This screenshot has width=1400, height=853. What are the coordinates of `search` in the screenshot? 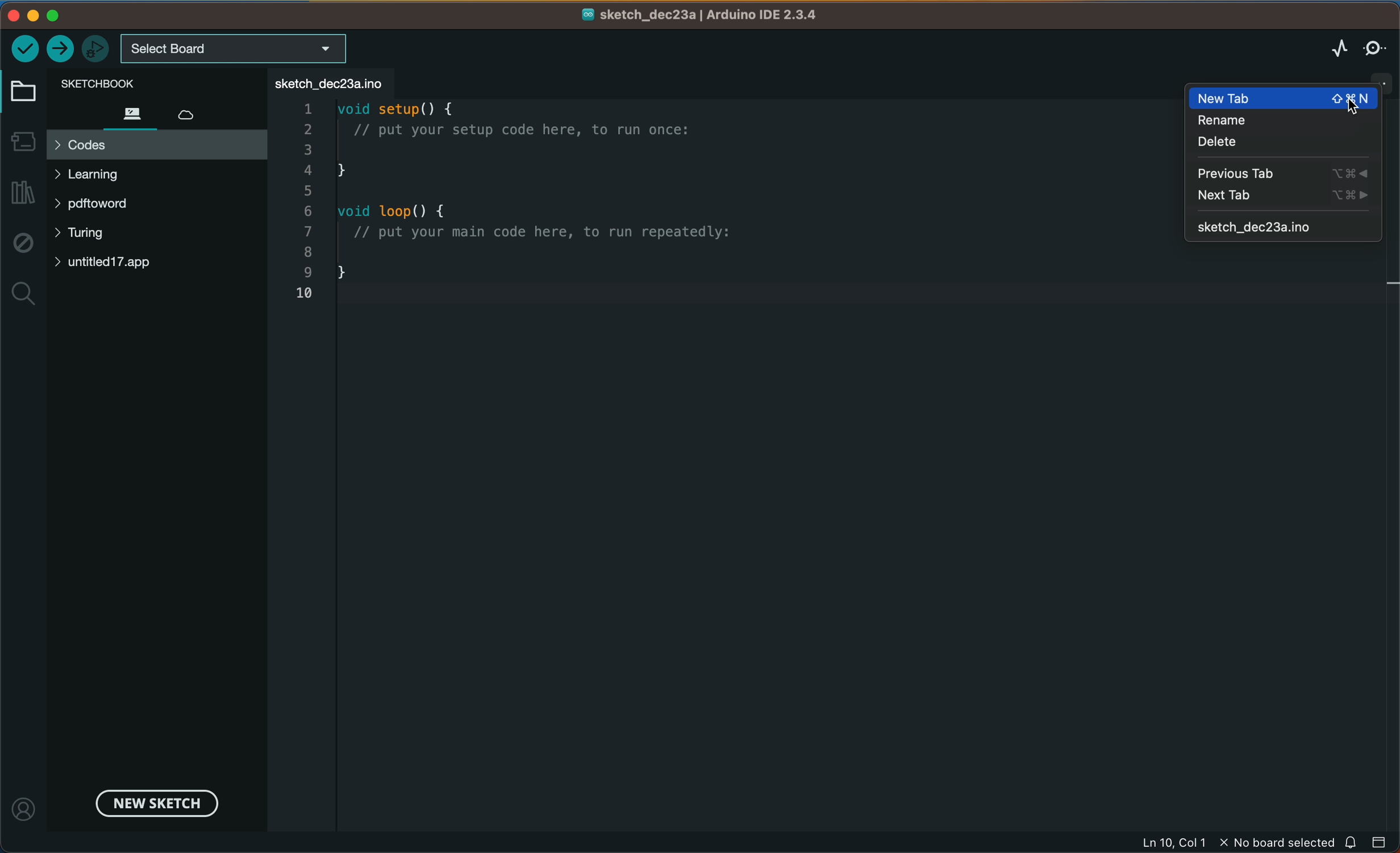 It's located at (23, 295).